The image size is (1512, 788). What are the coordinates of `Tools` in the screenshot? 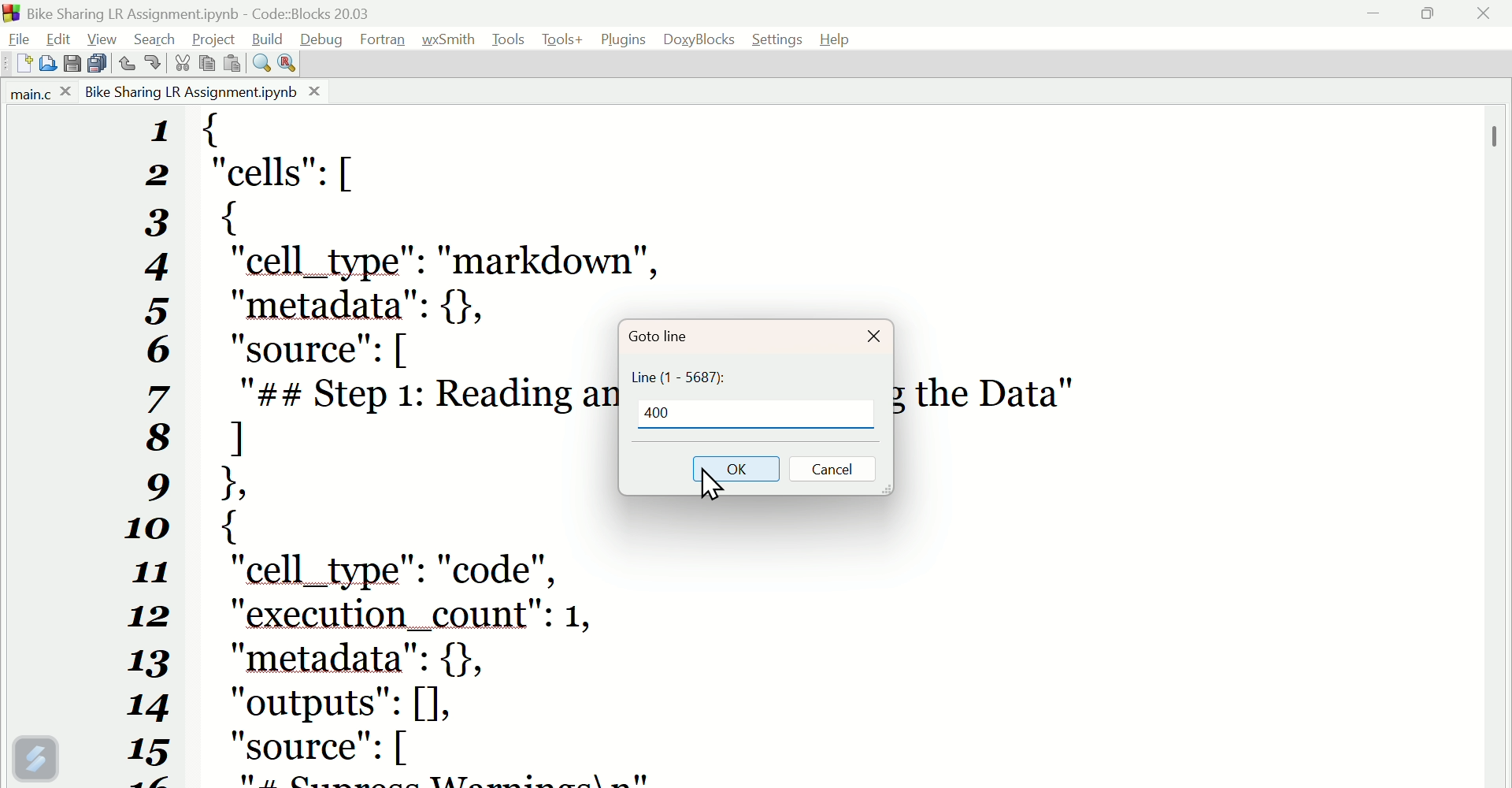 It's located at (508, 39).